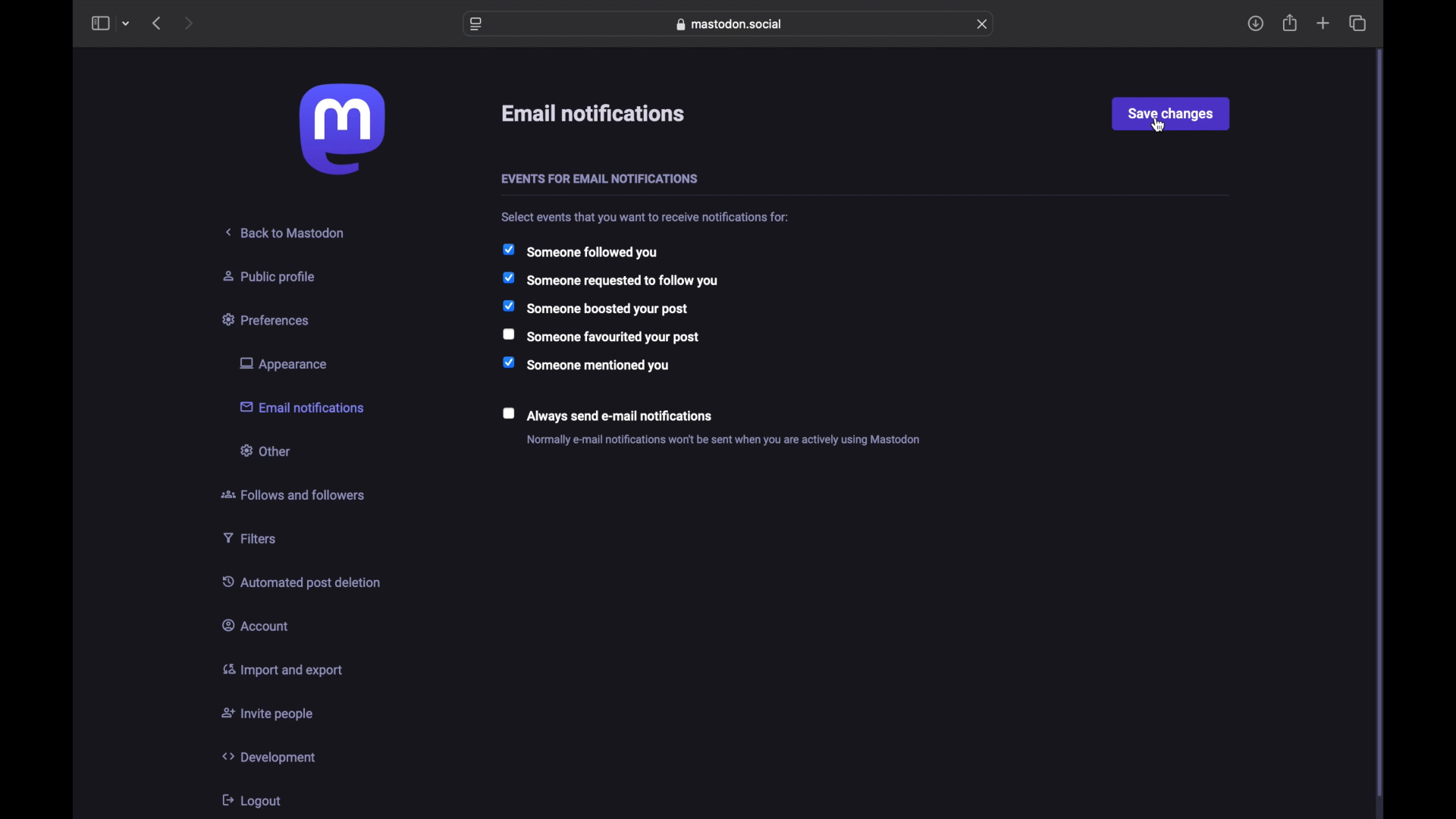 The width and height of the screenshot is (1456, 819). I want to click on checkbox, so click(595, 307).